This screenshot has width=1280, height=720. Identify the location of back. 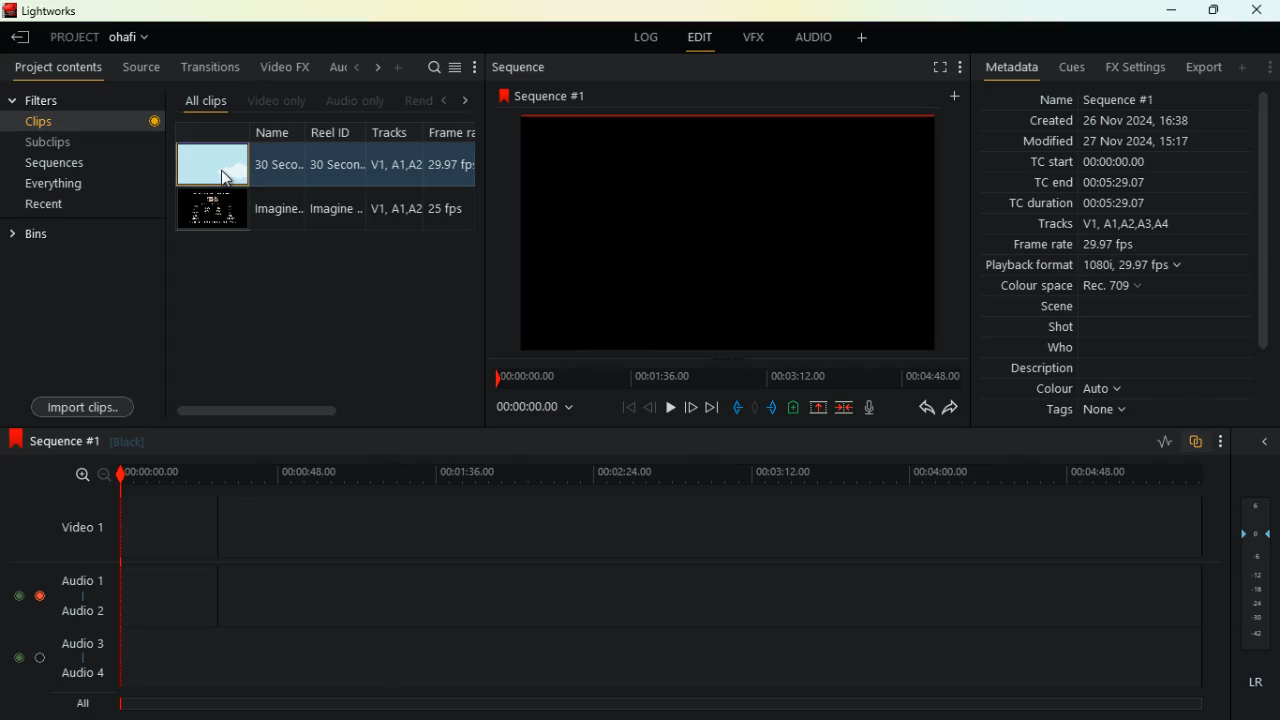
(650, 407).